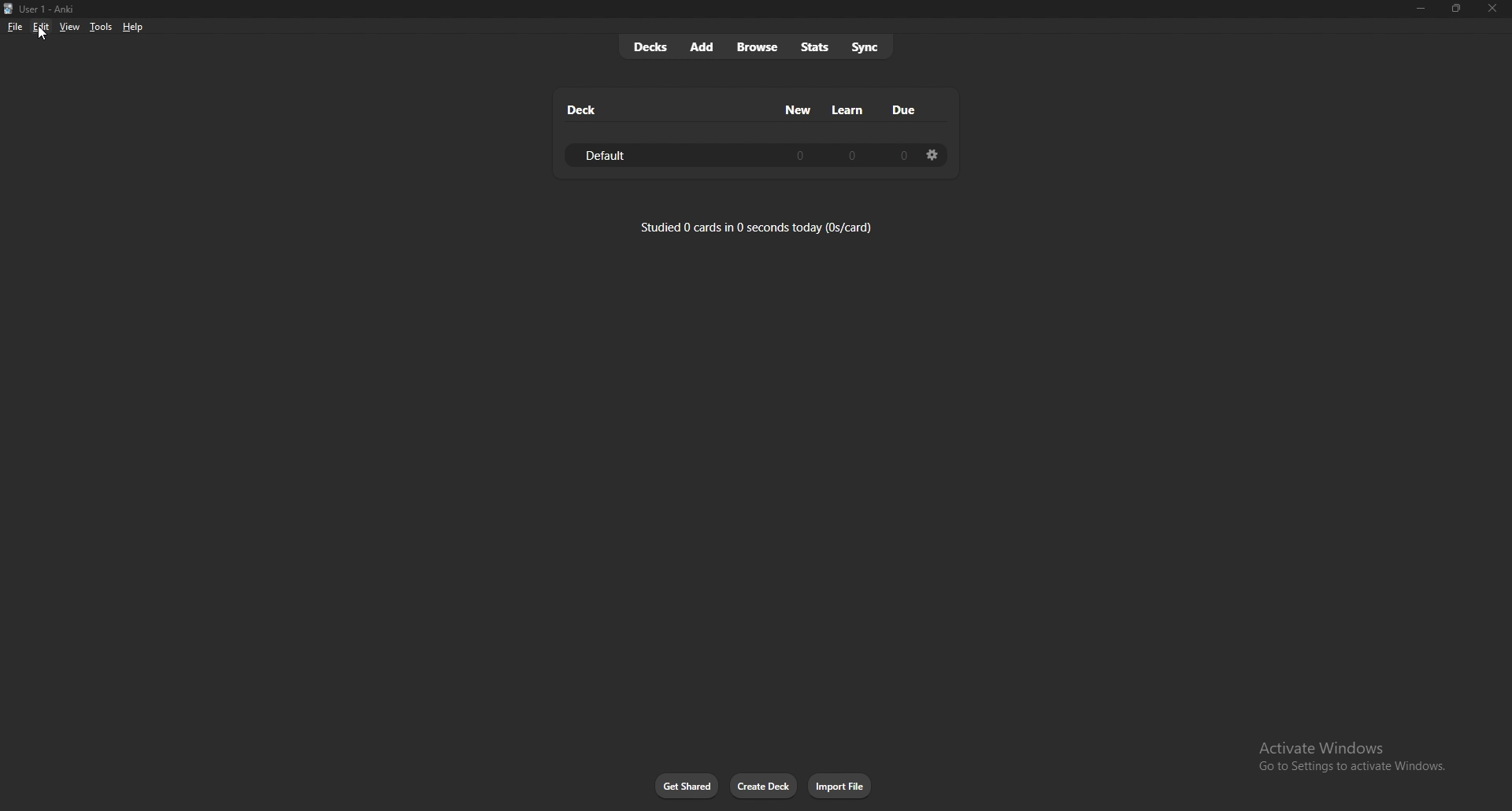 The image size is (1512, 811). Describe the element at coordinates (900, 155) in the screenshot. I see `0` at that location.